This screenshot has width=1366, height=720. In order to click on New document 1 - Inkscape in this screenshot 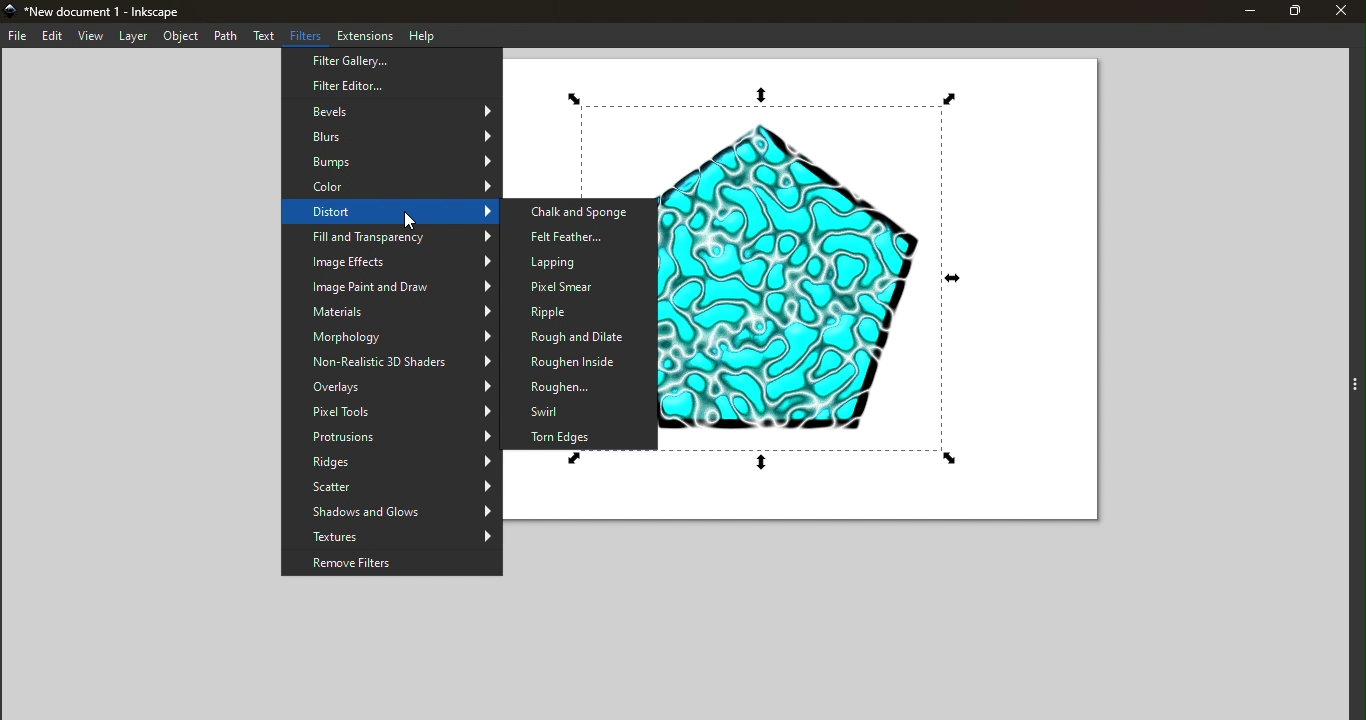, I will do `click(118, 11)`.